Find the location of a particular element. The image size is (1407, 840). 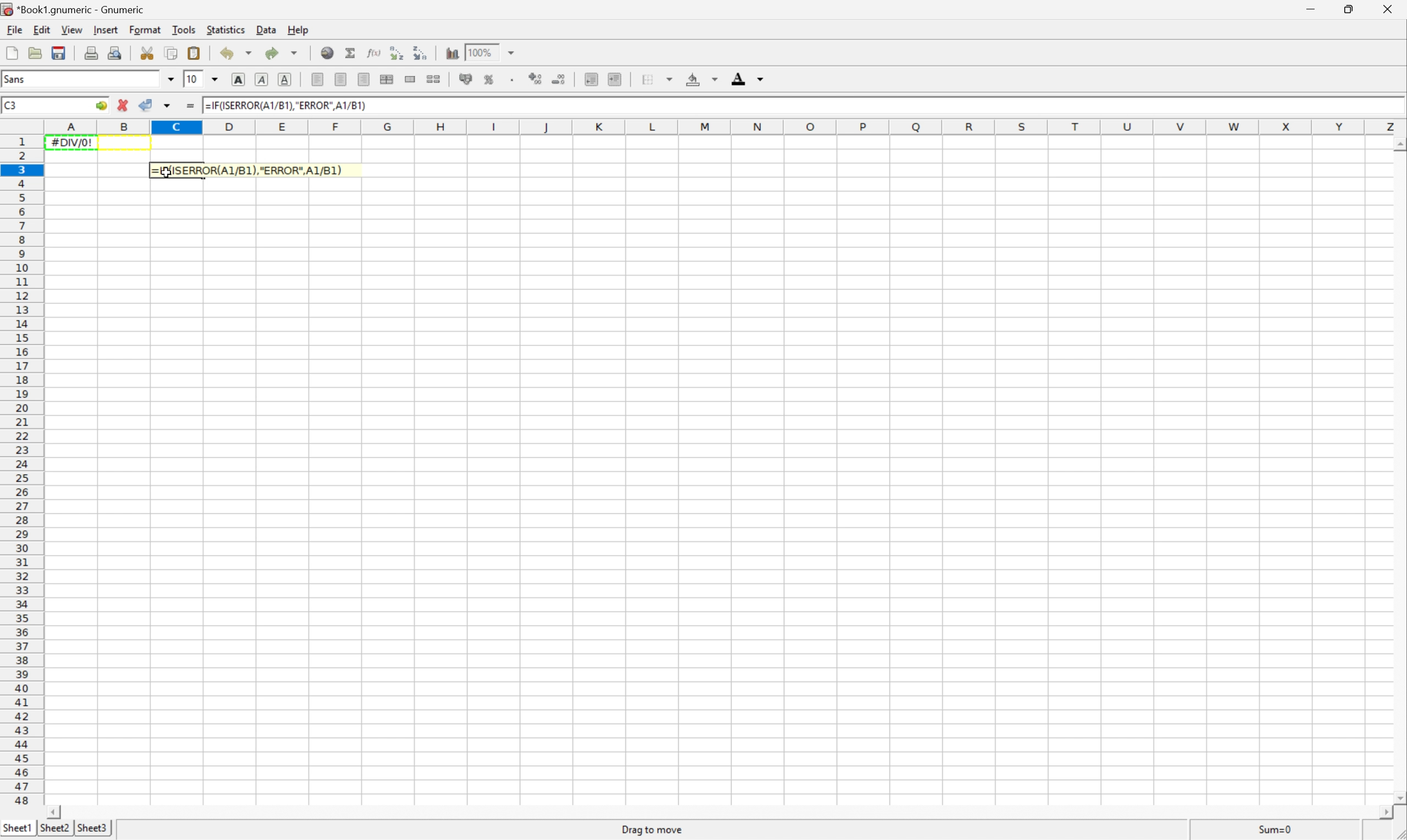

Sheet1 is located at coordinates (17, 828).